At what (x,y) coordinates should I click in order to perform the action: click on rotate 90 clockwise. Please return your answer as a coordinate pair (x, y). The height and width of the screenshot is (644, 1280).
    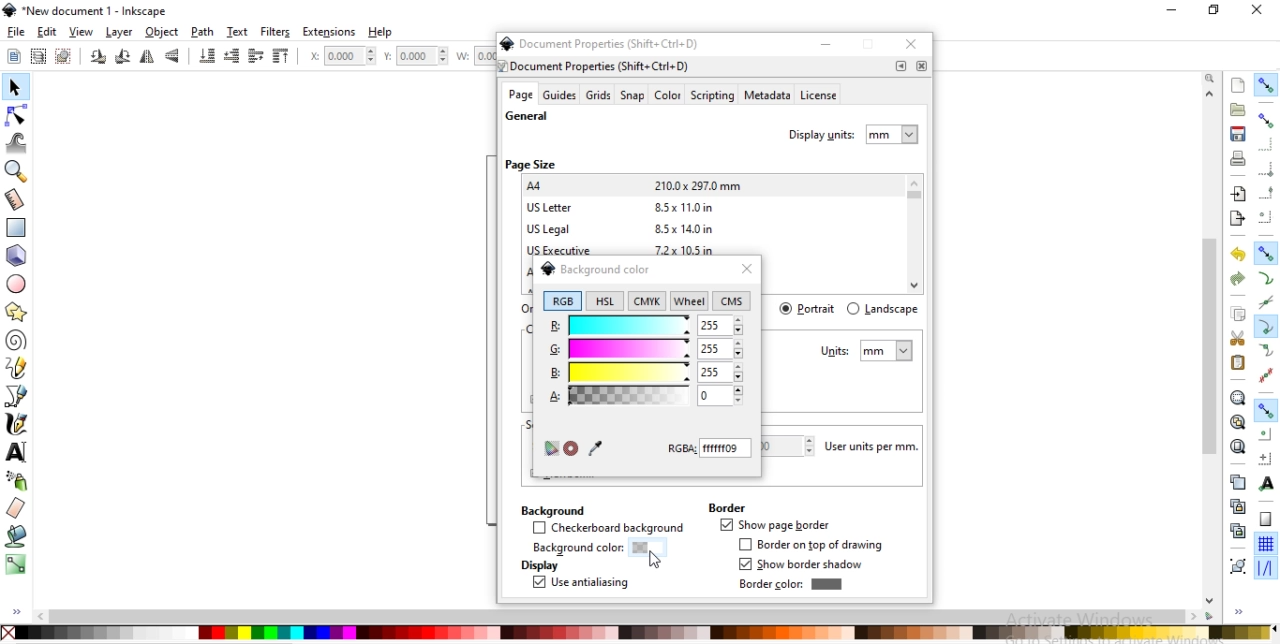
    Looking at the image, I should click on (99, 58).